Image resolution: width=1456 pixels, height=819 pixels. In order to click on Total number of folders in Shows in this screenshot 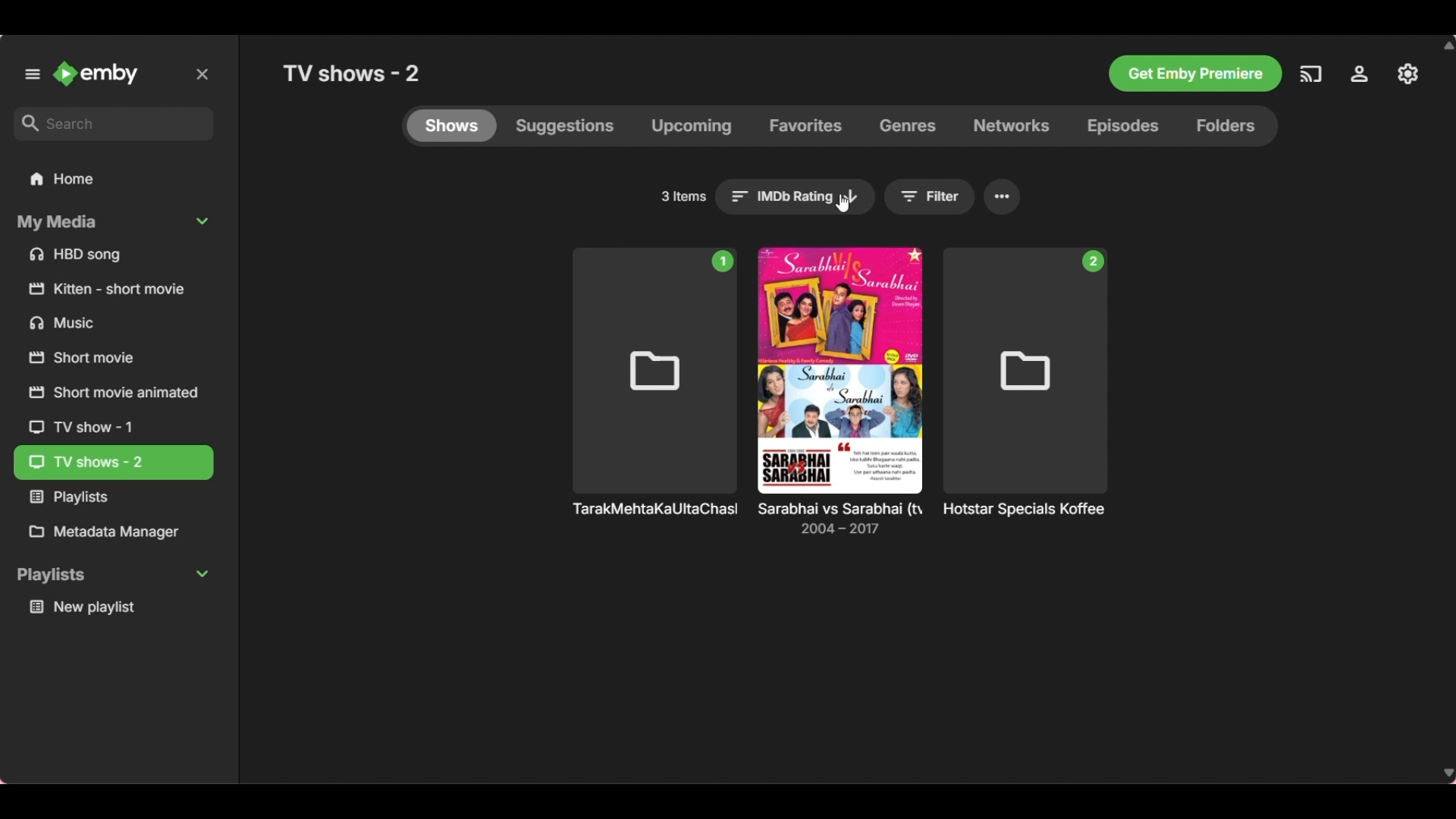, I will do `click(683, 196)`.